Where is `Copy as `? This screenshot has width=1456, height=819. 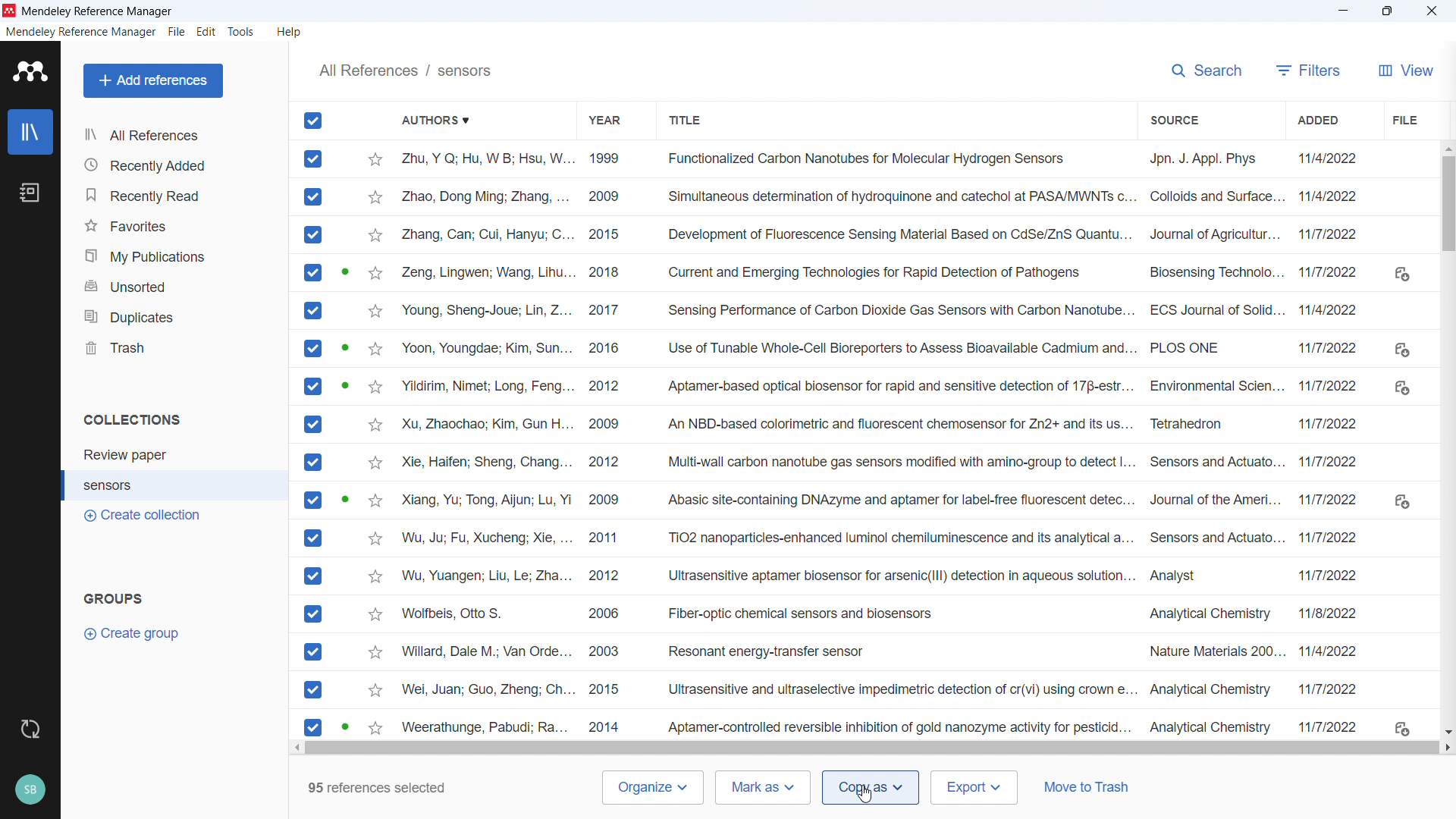
Copy as  is located at coordinates (871, 788).